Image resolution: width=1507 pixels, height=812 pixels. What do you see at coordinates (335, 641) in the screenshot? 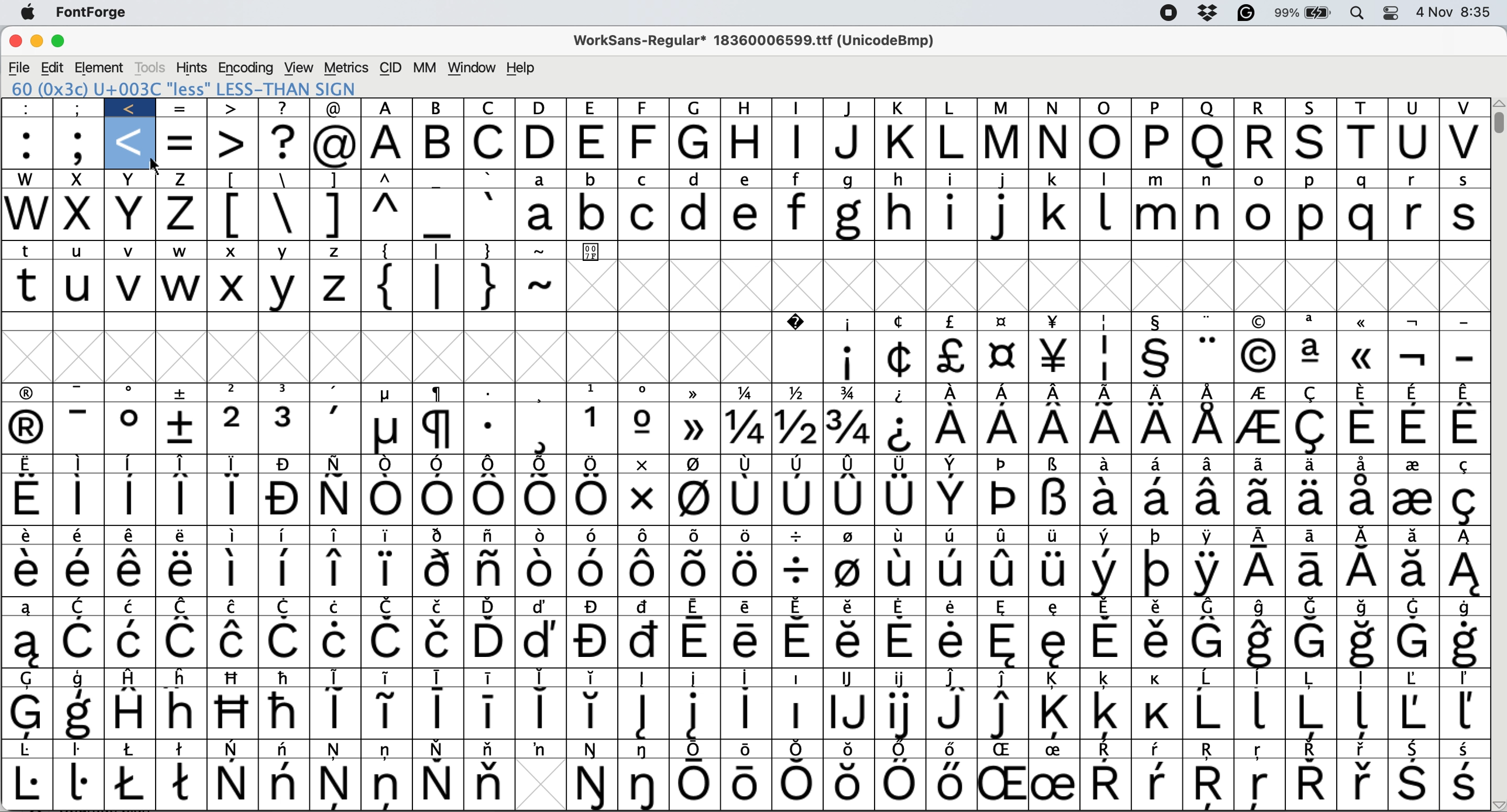
I see `Symbol` at bounding box center [335, 641].